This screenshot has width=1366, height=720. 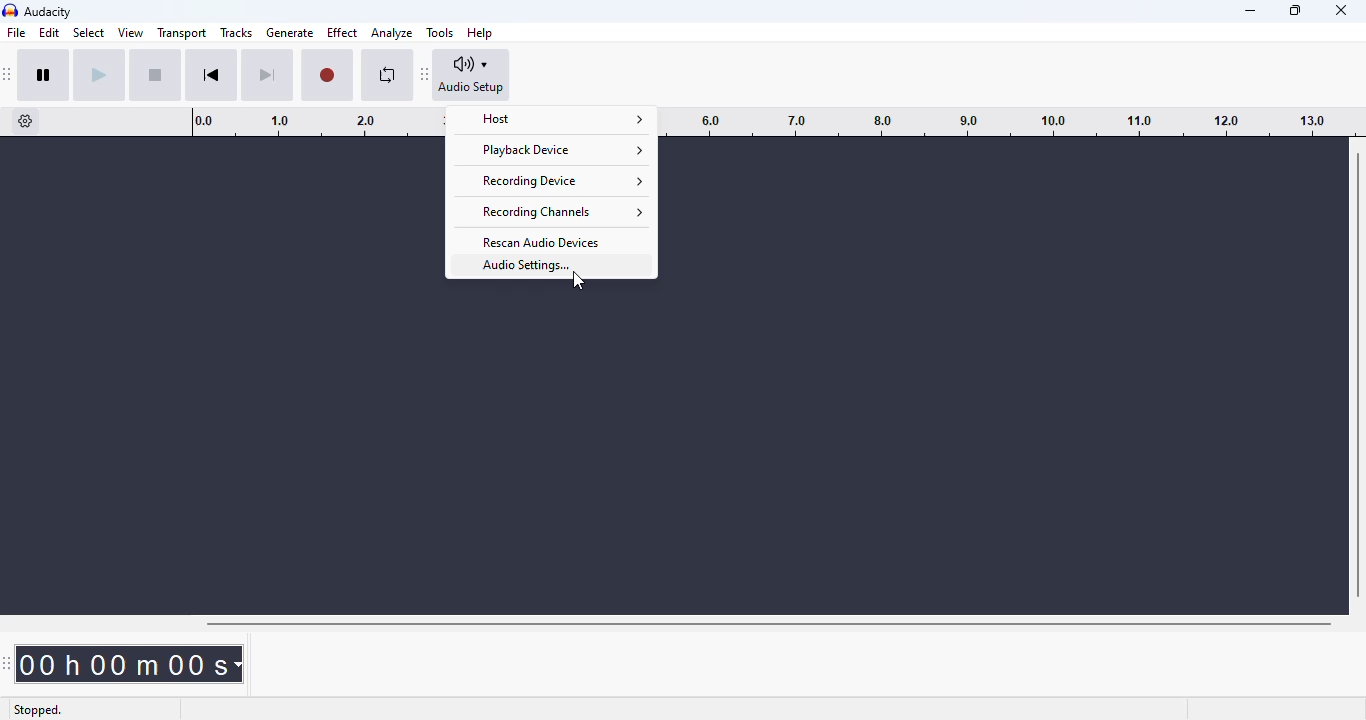 What do you see at coordinates (552, 179) in the screenshot?
I see `recording device` at bounding box center [552, 179].